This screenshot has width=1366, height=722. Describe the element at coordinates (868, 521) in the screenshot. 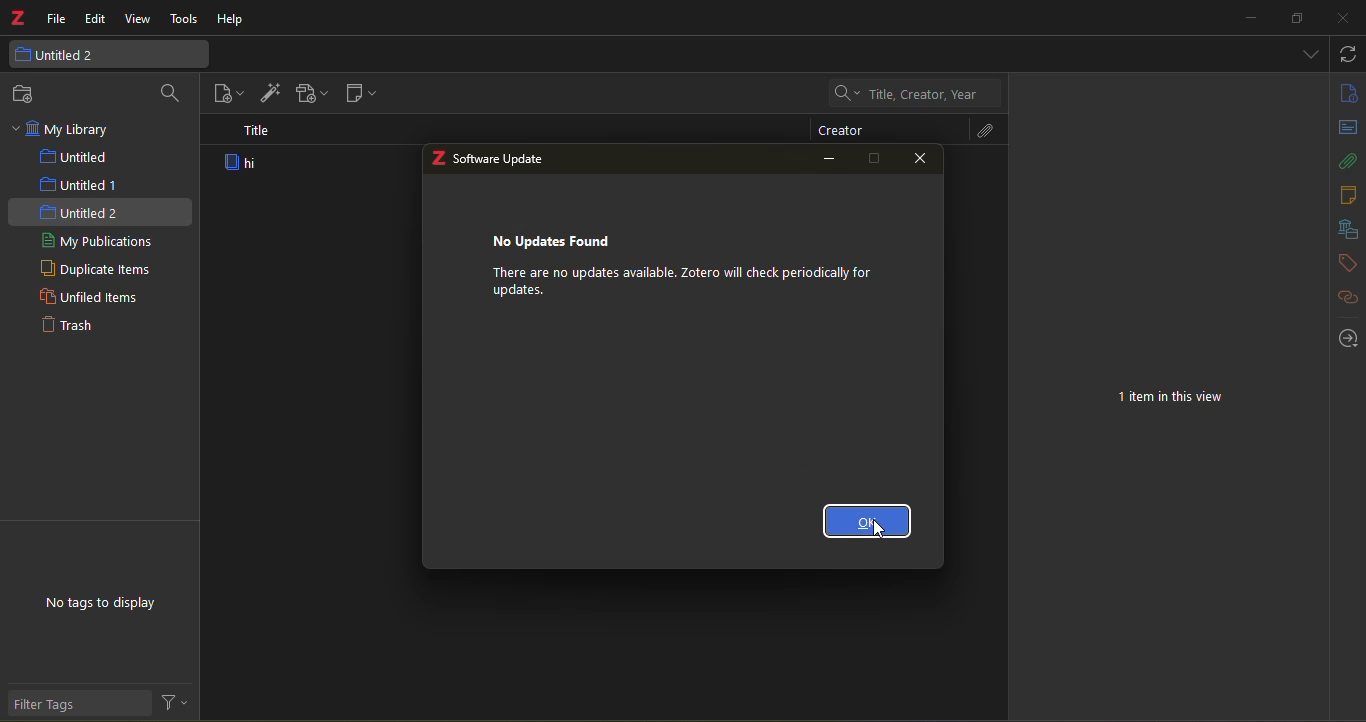

I see `ok` at that location.